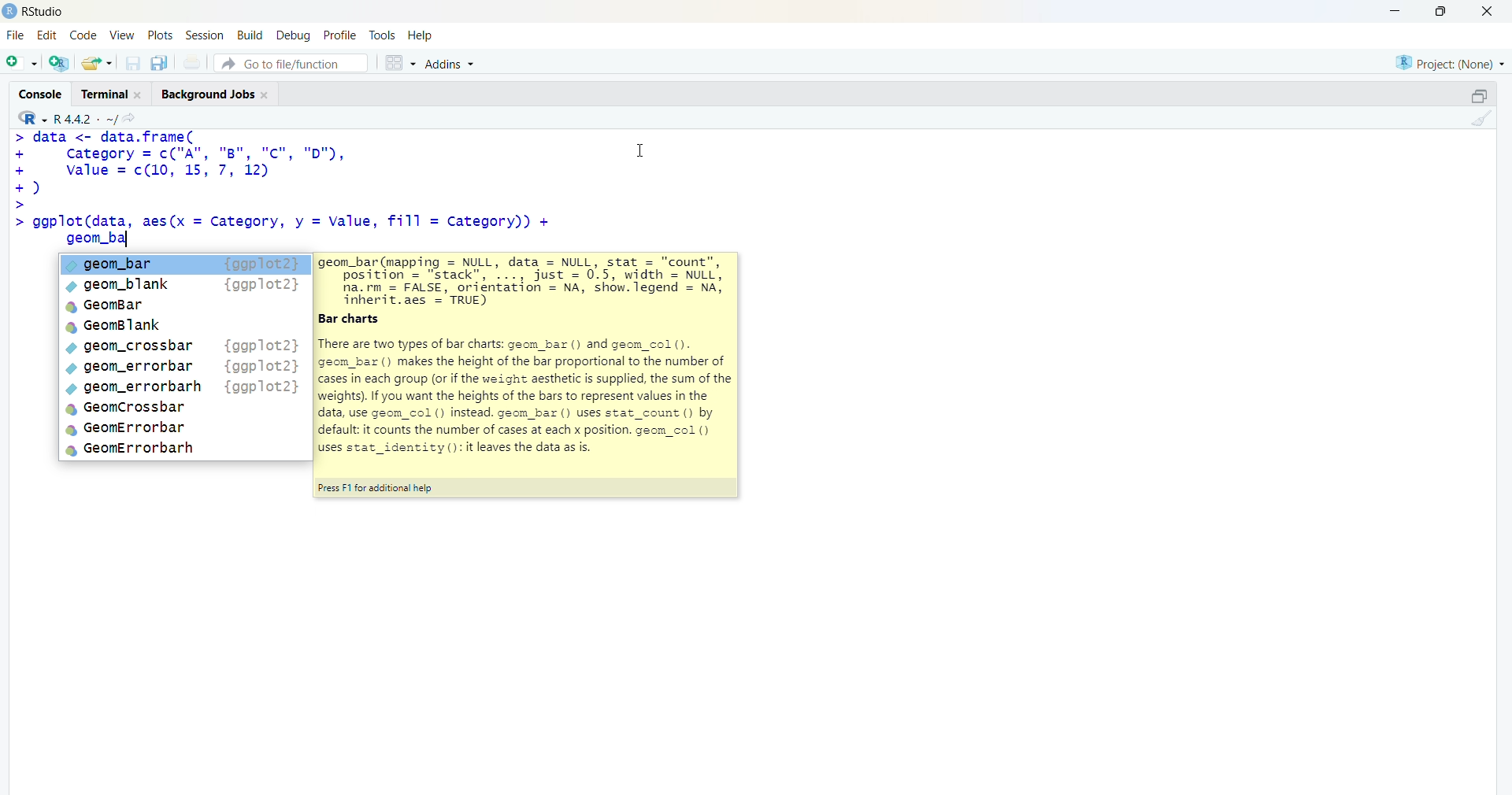 This screenshot has width=1512, height=795. Describe the element at coordinates (291, 63) in the screenshot. I see `# Go to file/function` at that location.